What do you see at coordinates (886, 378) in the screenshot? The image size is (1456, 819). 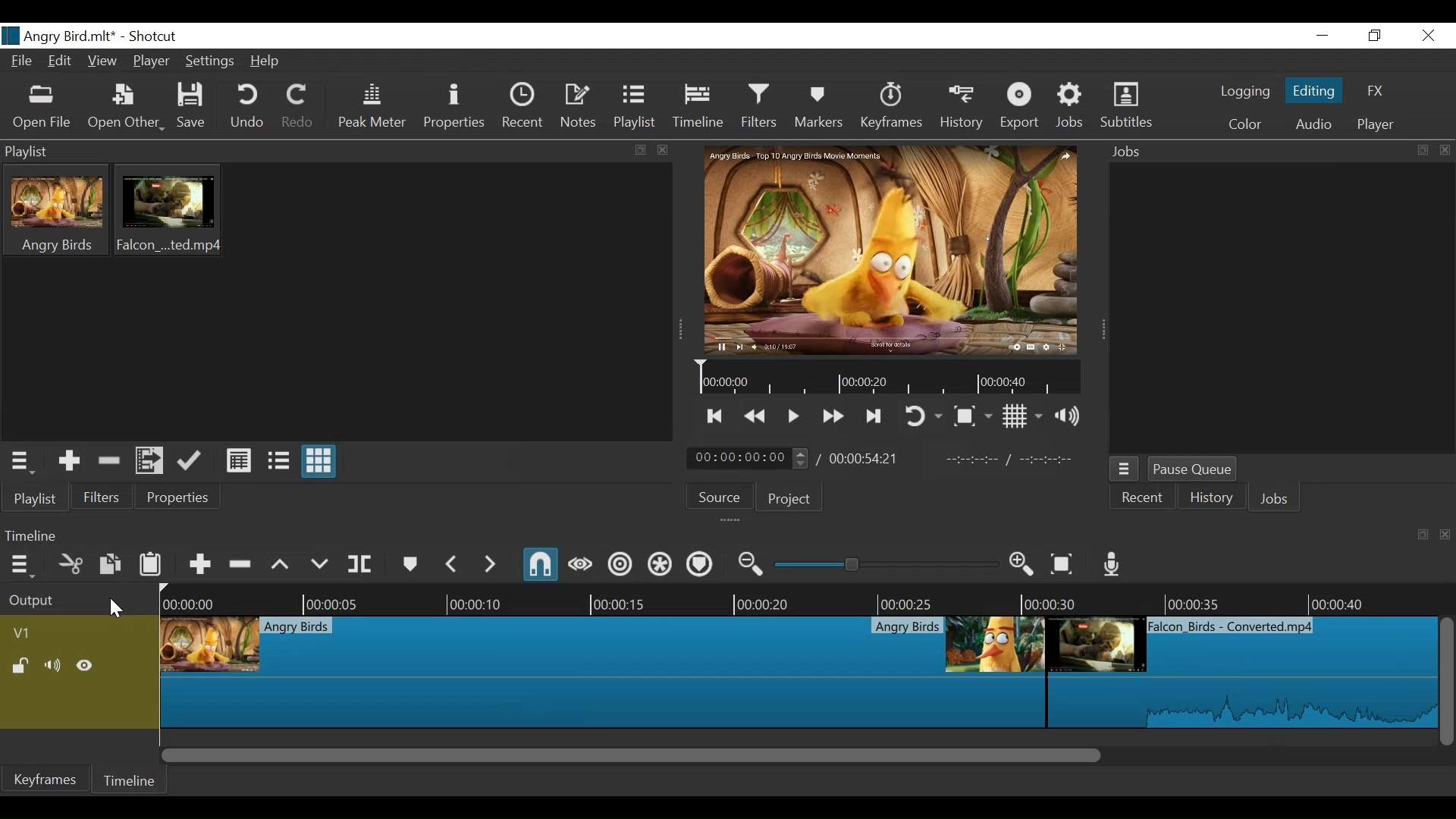 I see `tIMELINE` at bounding box center [886, 378].